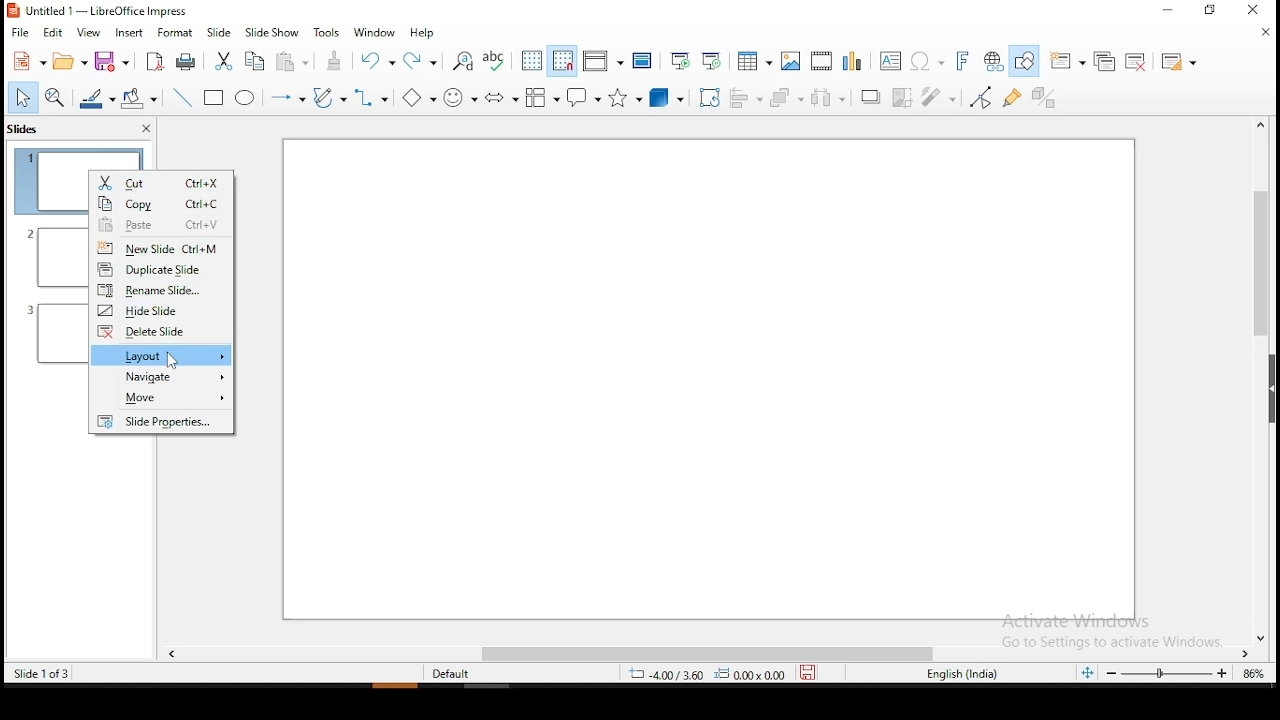 This screenshot has height=720, width=1280. What do you see at coordinates (161, 289) in the screenshot?
I see `rename slide` at bounding box center [161, 289].